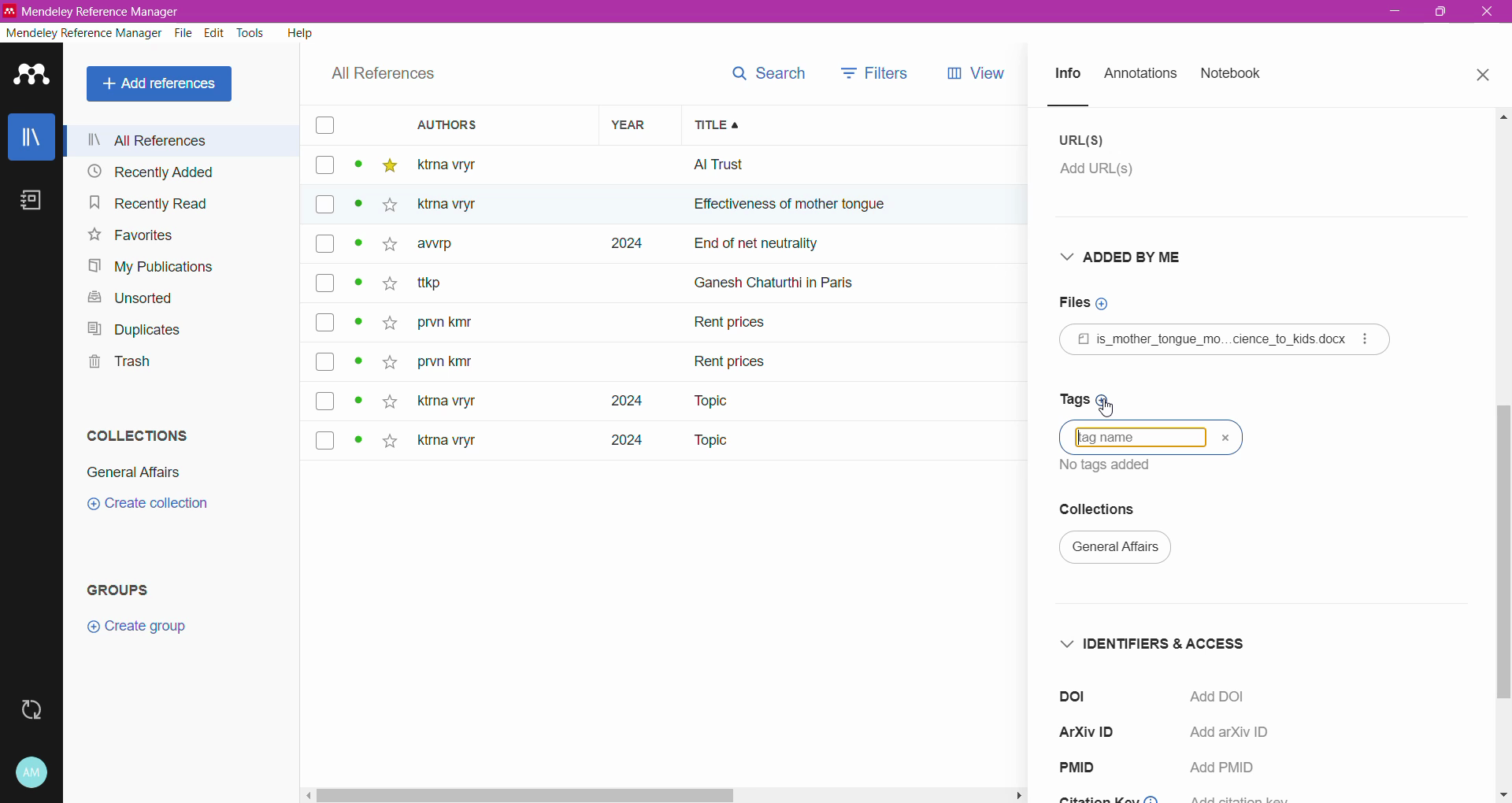 Image resolution: width=1512 pixels, height=803 pixels. Describe the element at coordinates (1140, 75) in the screenshot. I see `Annotations` at that location.